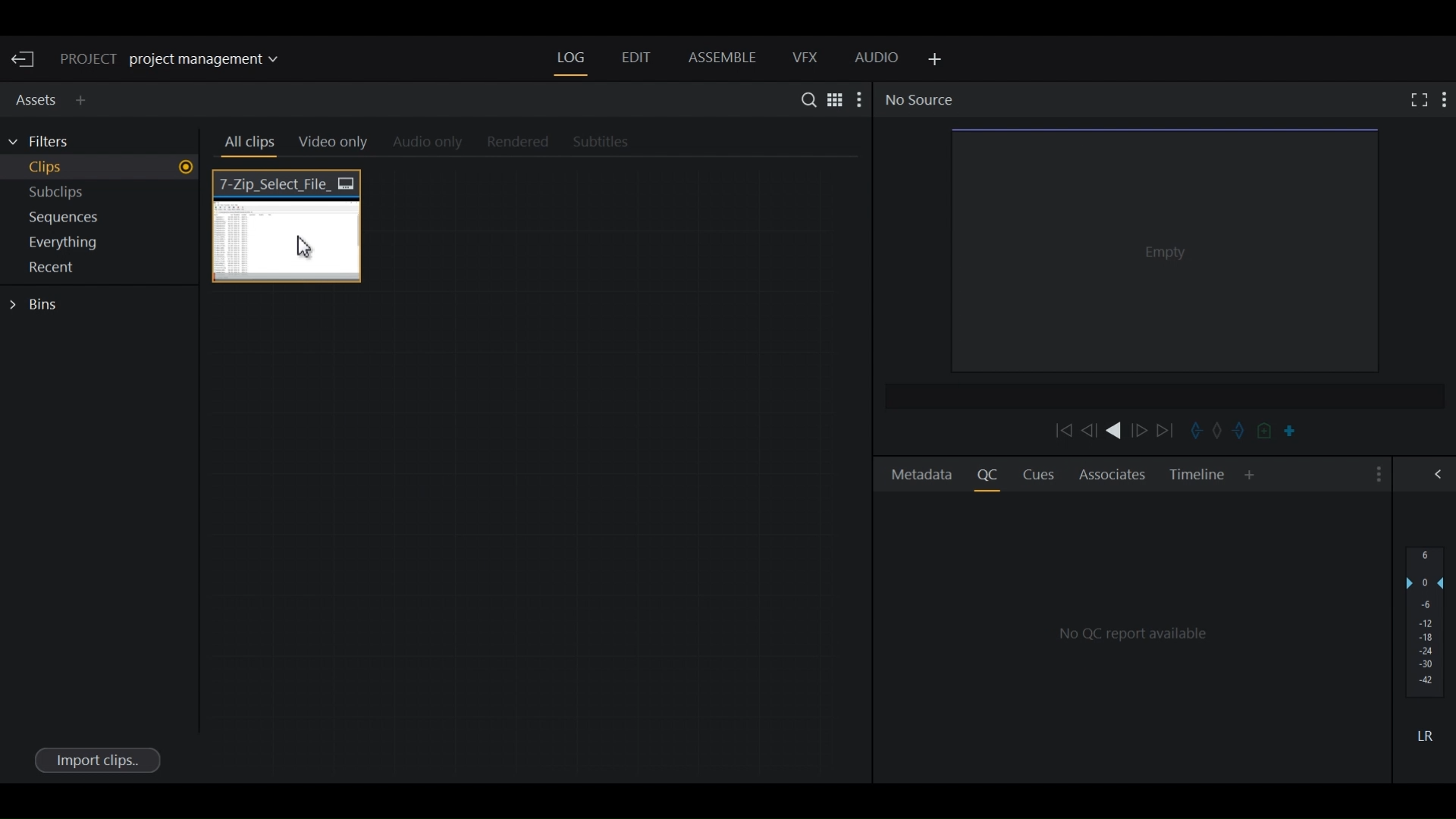  Describe the element at coordinates (26, 60) in the screenshot. I see `Exit Current Project` at that location.